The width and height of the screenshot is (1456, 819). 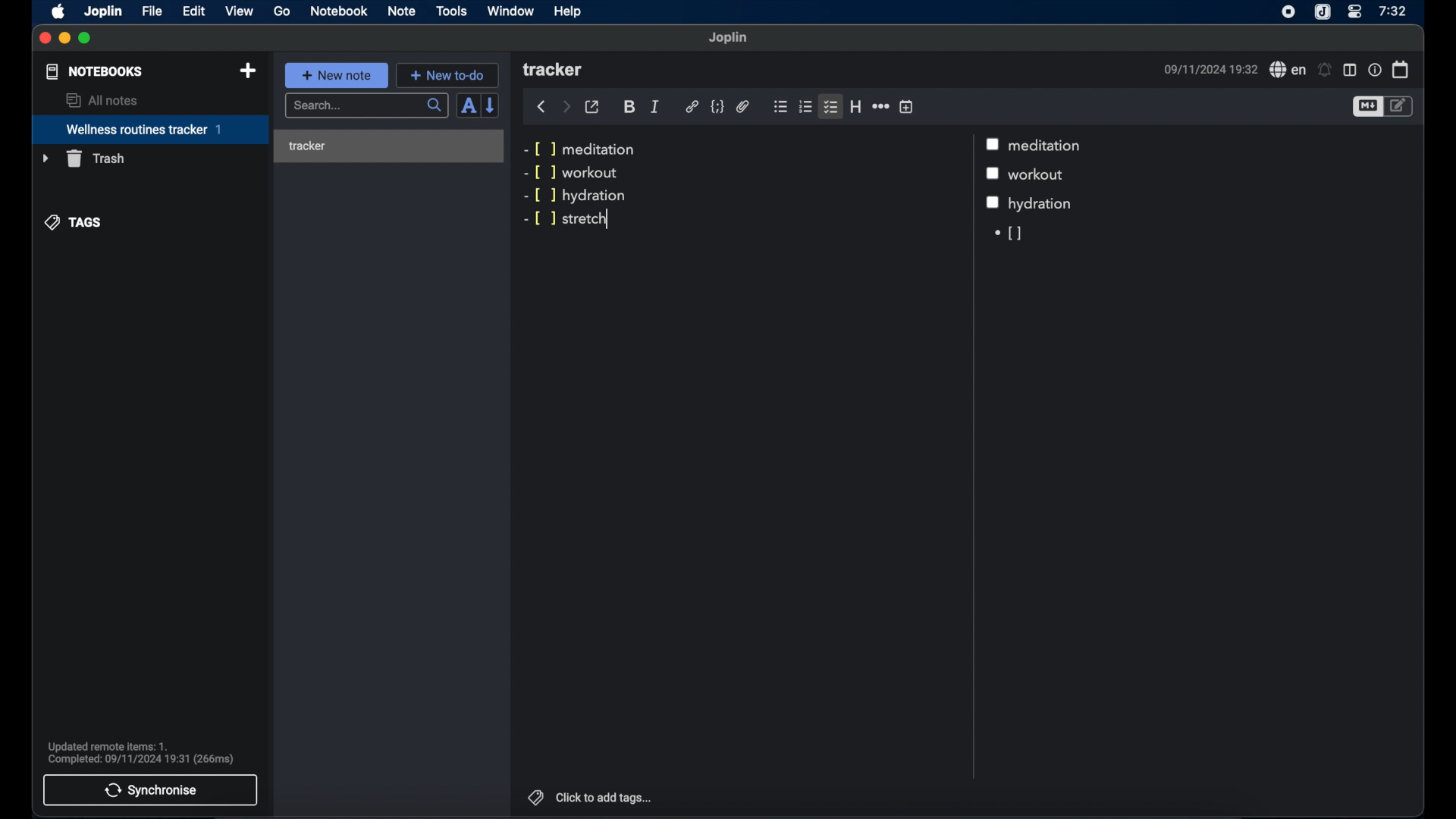 What do you see at coordinates (880, 106) in the screenshot?
I see `horizontal rule` at bounding box center [880, 106].